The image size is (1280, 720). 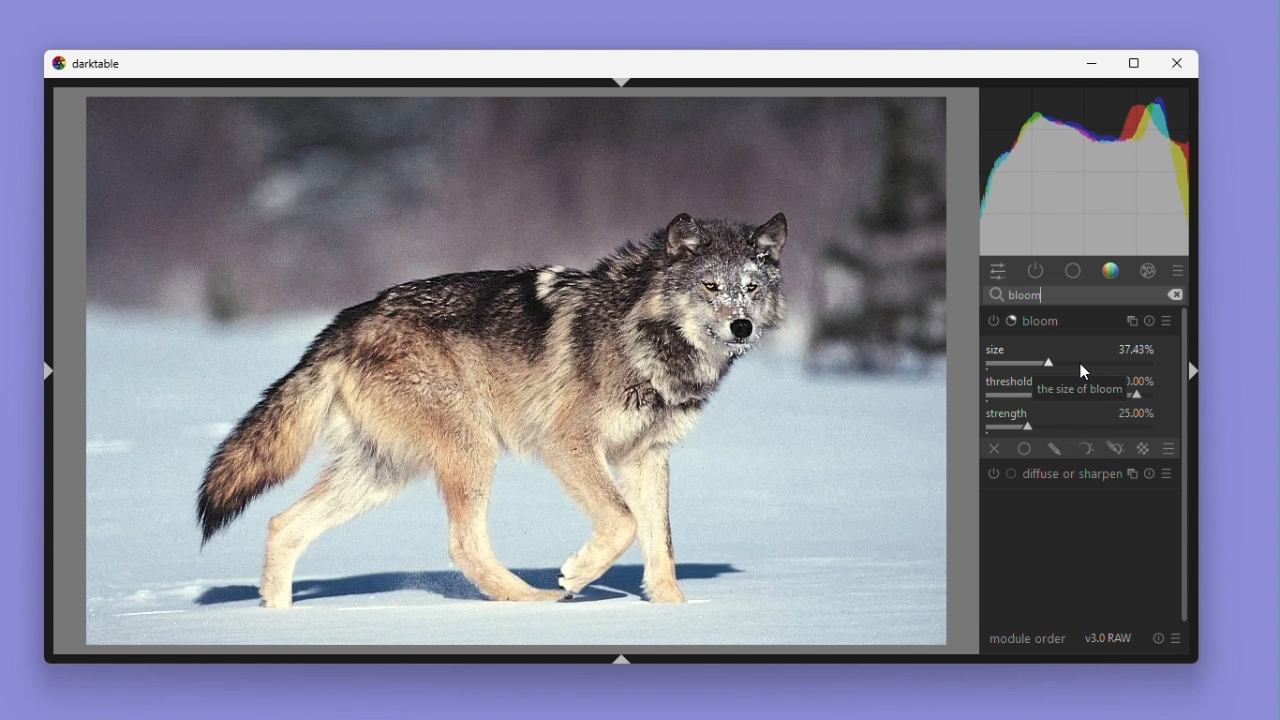 What do you see at coordinates (1165, 448) in the screenshot?
I see `Blending options` at bounding box center [1165, 448].